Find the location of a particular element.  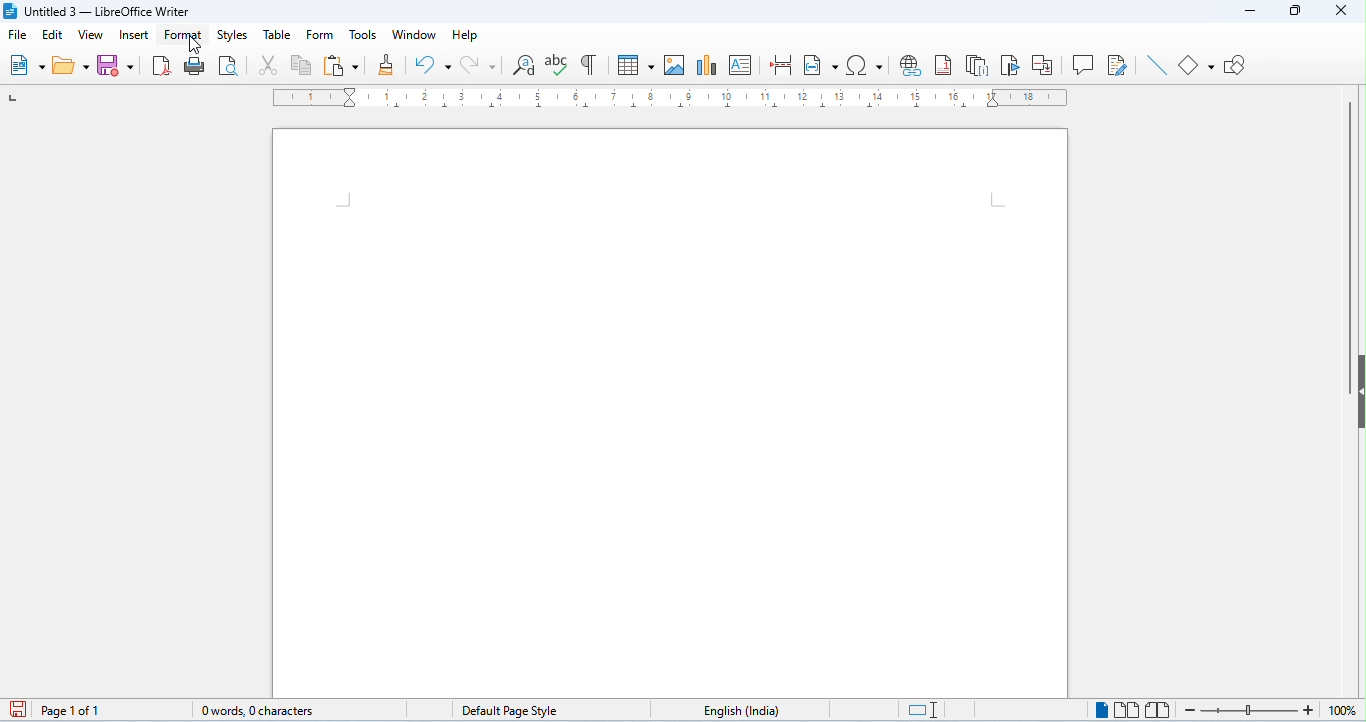

standard selection is located at coordinates (924, 711).